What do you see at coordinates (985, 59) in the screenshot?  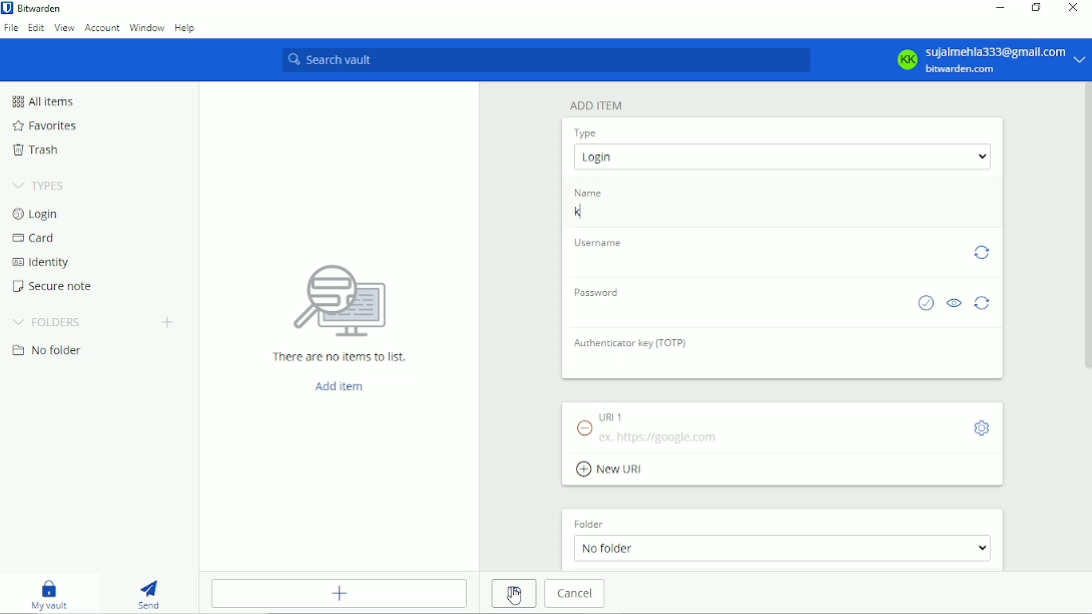 I see `KK Sujalmehla333@gmail.com      bitwarden.com` at bounding box center [985, 59].